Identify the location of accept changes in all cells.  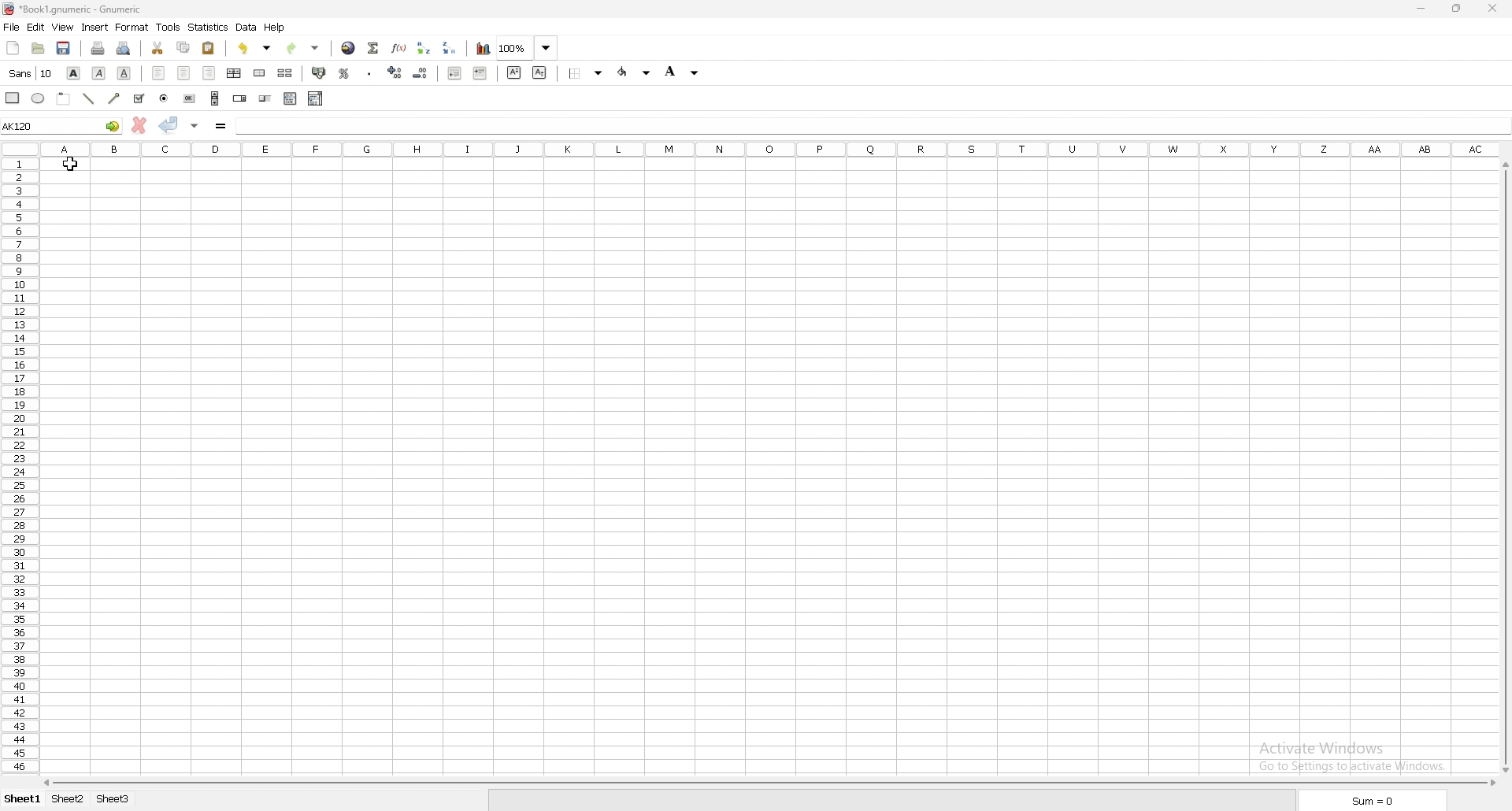
(195, 125).